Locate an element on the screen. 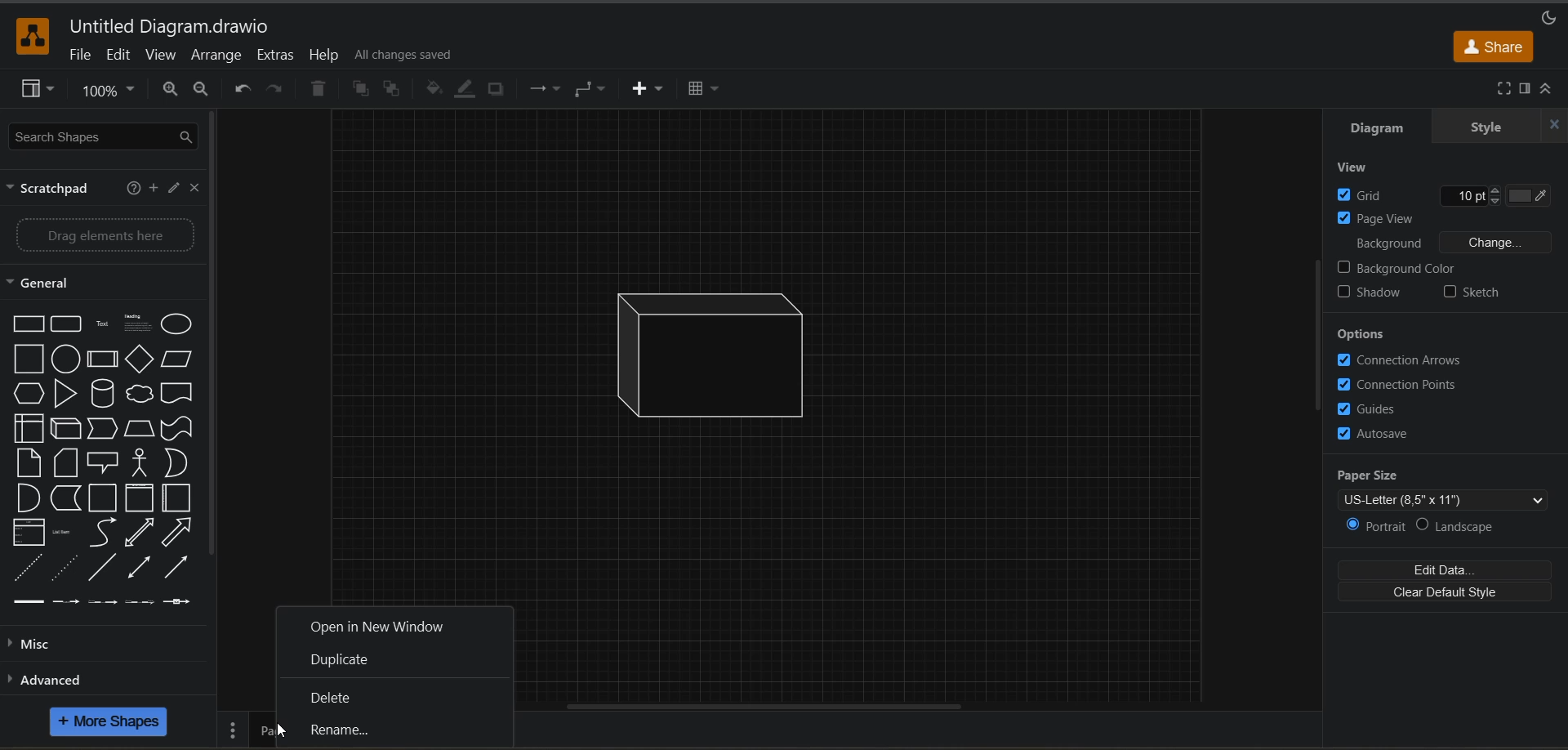  sketch is located at coordinates (1470, 292).